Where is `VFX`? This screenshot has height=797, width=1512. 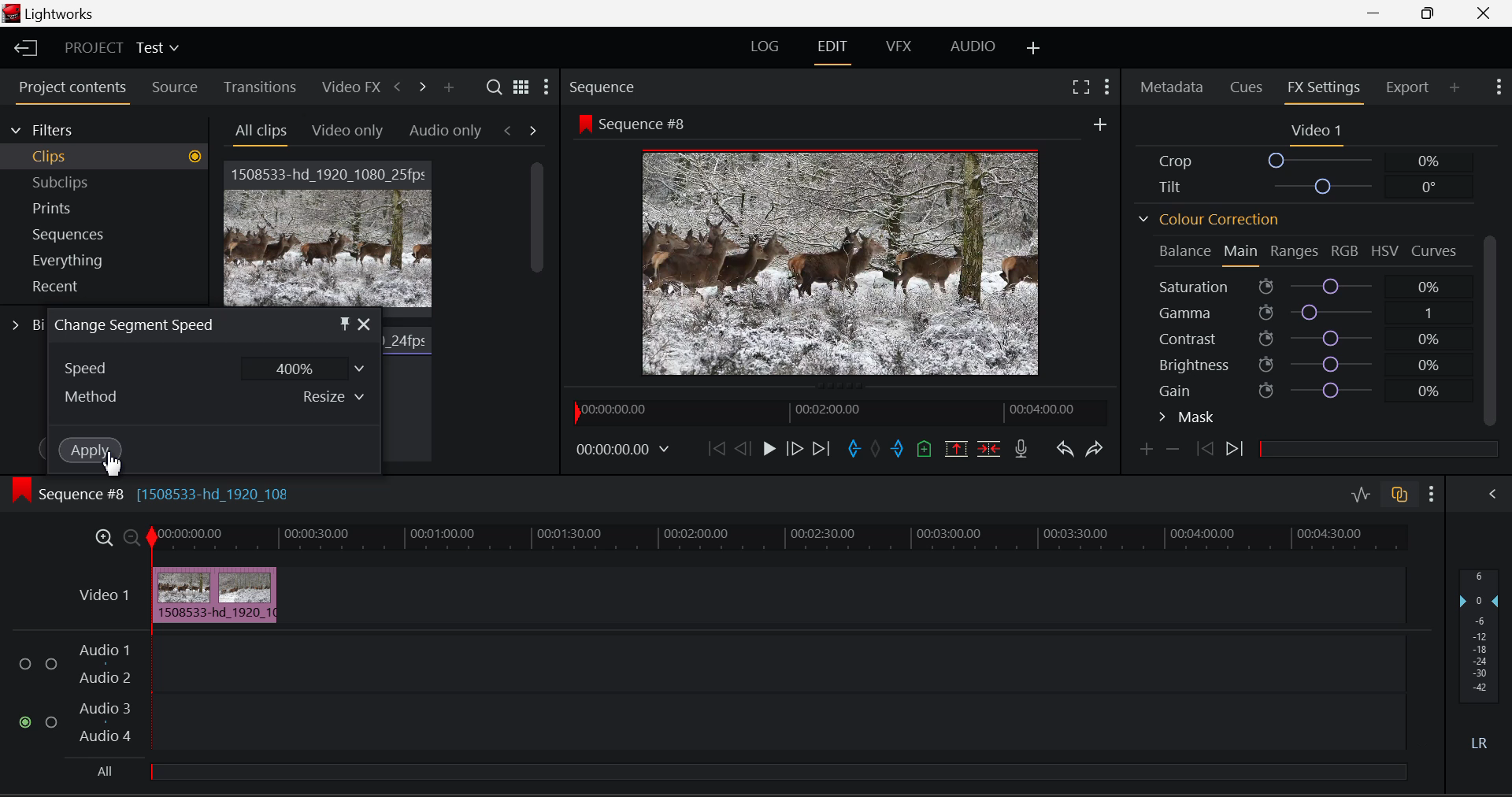 VFX is located at coordinates (898, 46).